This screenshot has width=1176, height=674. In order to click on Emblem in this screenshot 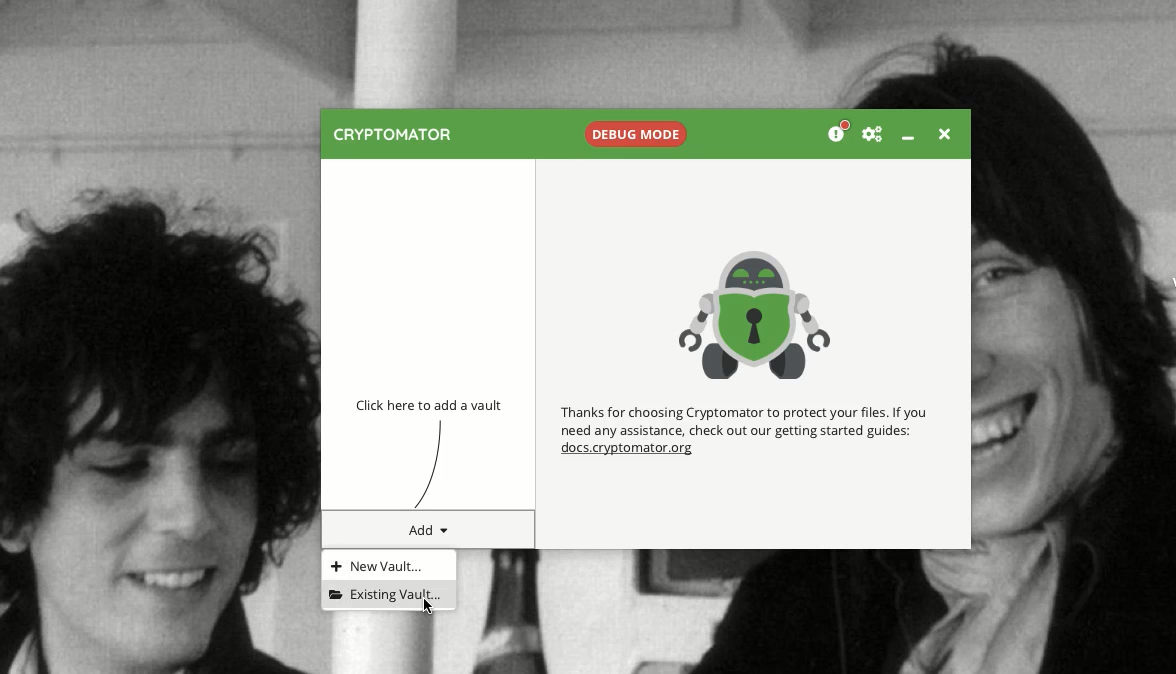, I will do `click(756, 312)`.